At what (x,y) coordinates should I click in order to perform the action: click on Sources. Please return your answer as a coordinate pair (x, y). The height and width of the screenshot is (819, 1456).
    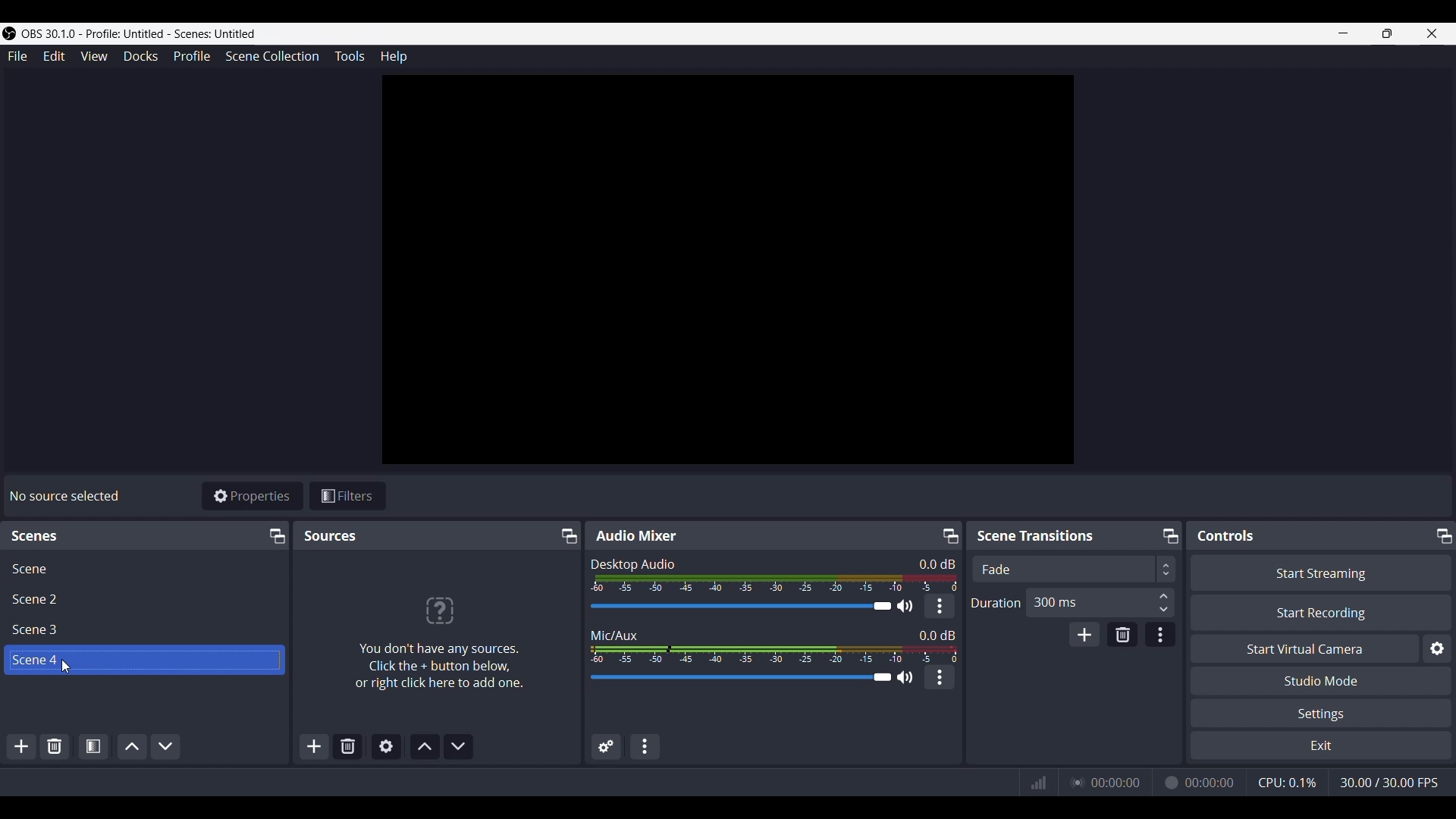
    Looking at the image, I should click on (331, 535).